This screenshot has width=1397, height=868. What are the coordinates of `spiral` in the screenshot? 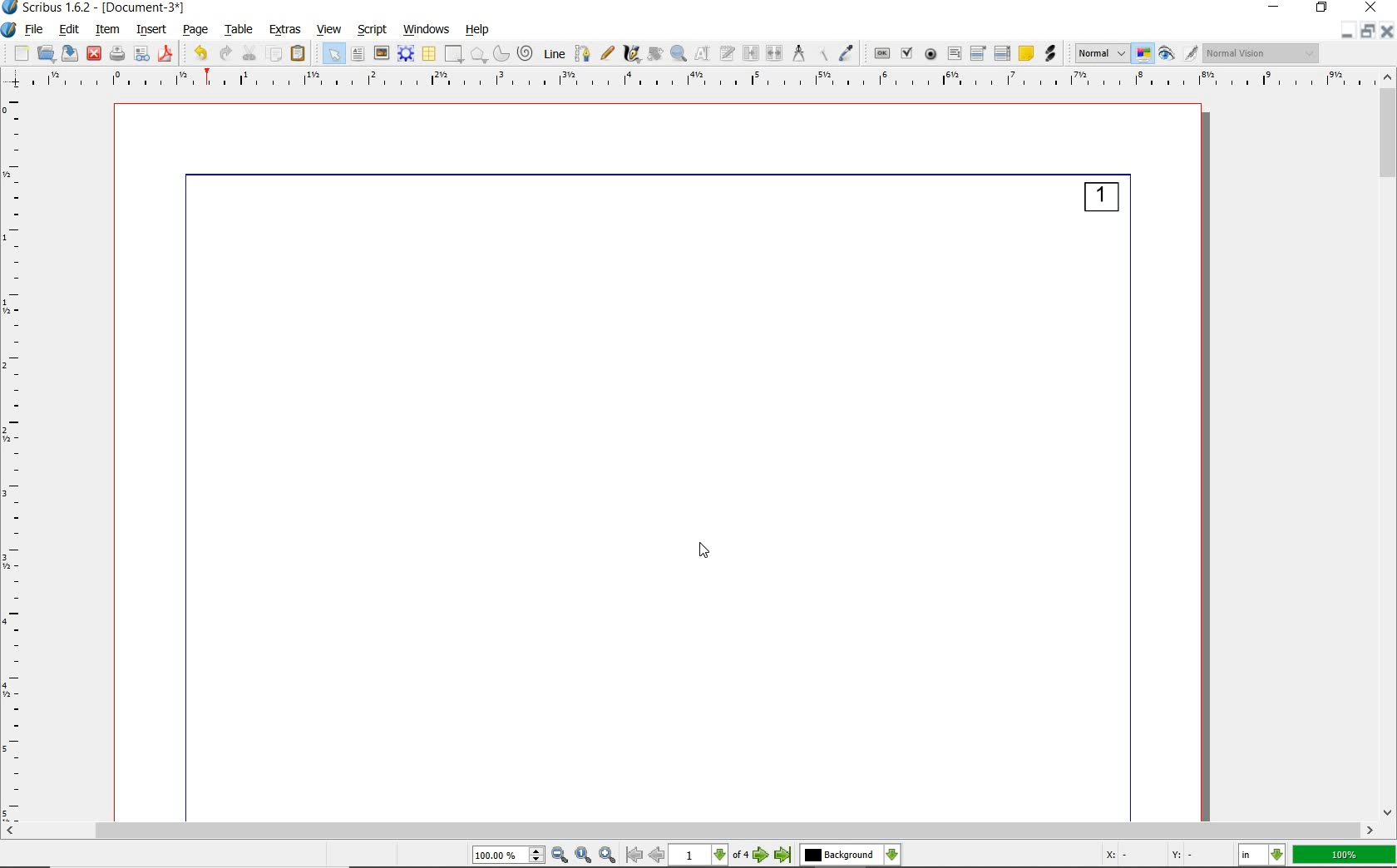 It's located at (525, 51).